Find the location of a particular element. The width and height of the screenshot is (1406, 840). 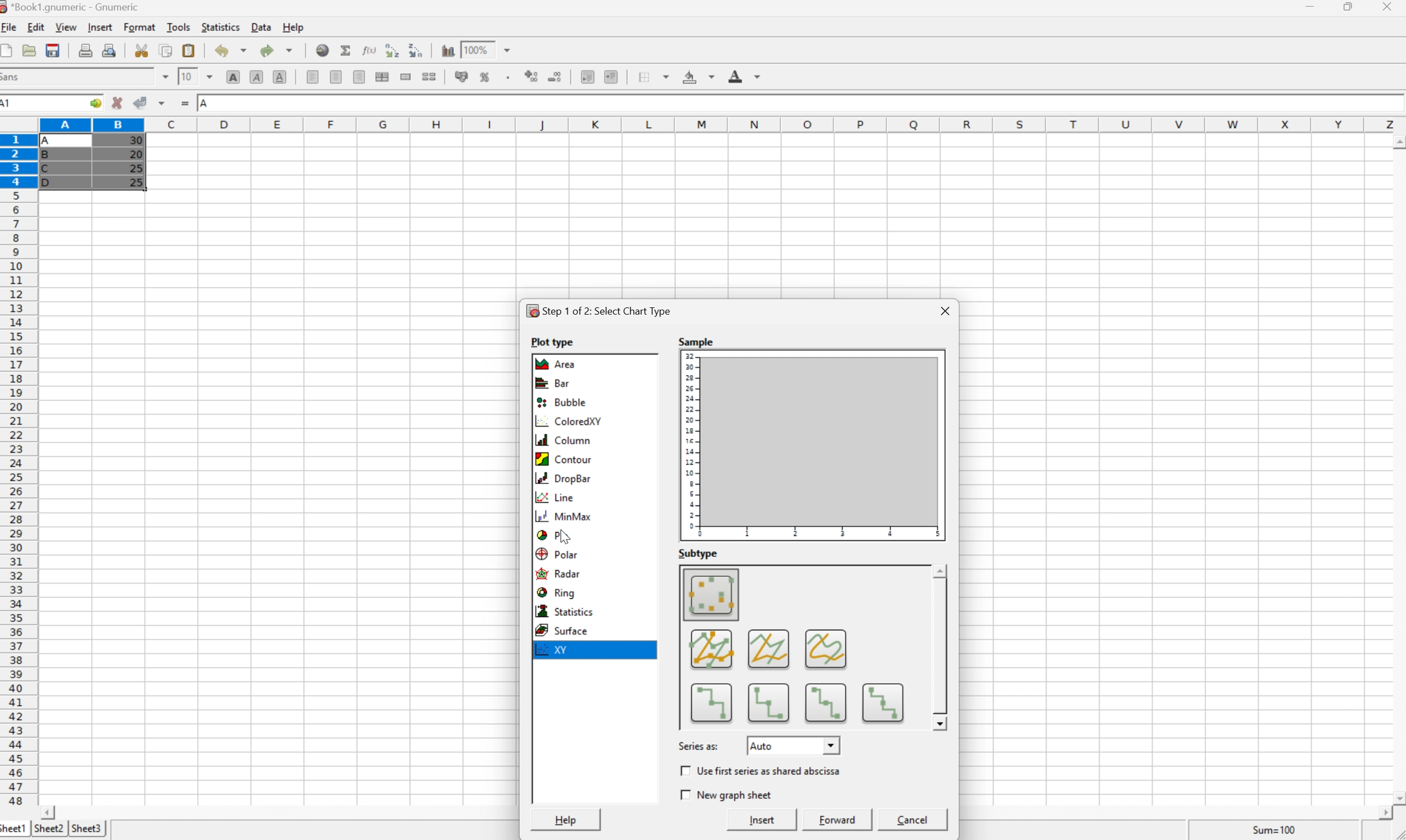

Restore Down is located at coordinates (1351, 6).